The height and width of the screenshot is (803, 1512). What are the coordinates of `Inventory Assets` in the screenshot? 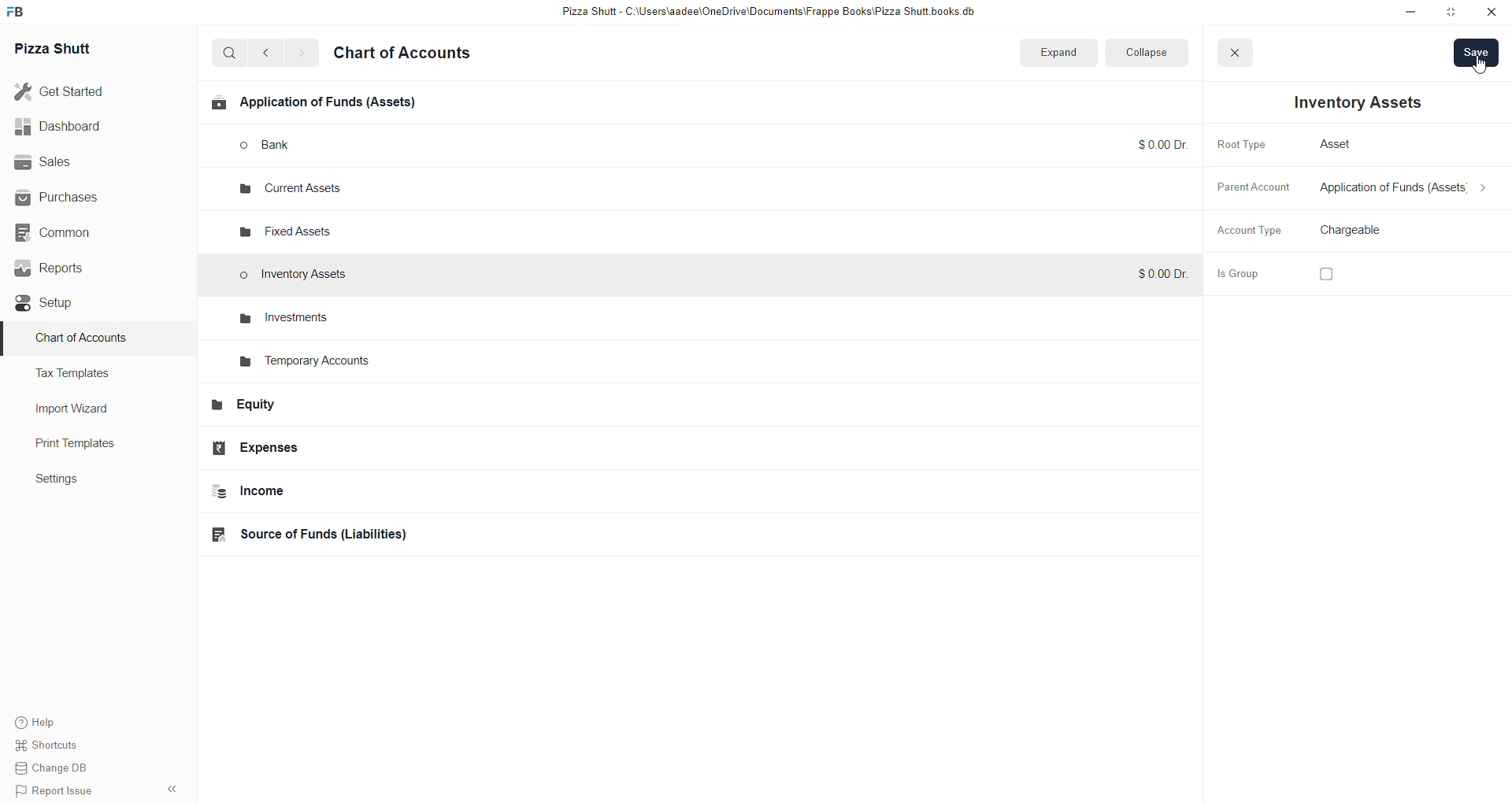 It's located at (300, 276).